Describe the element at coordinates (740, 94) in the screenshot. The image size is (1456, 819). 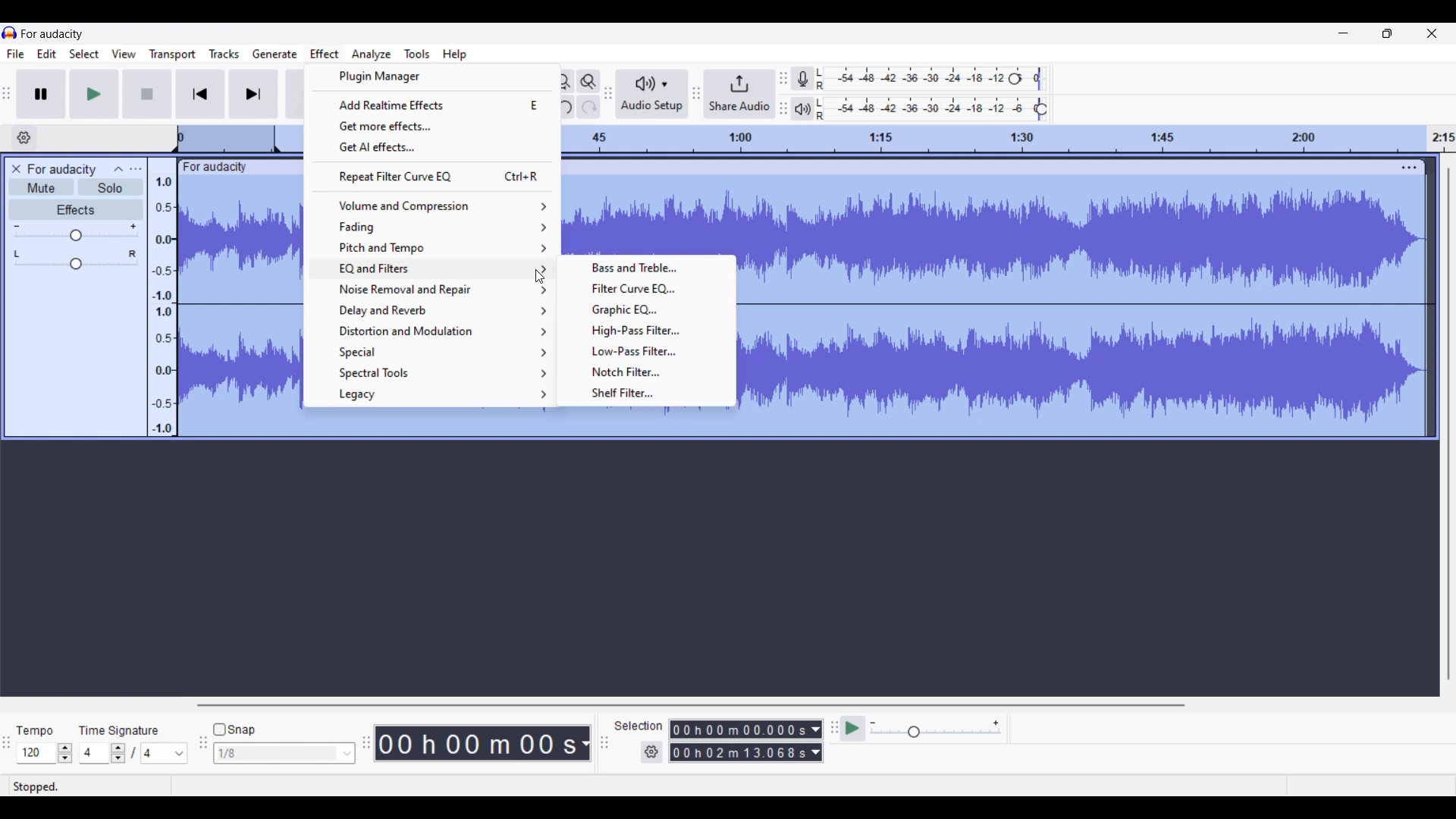
I see `Share audio` at that location.